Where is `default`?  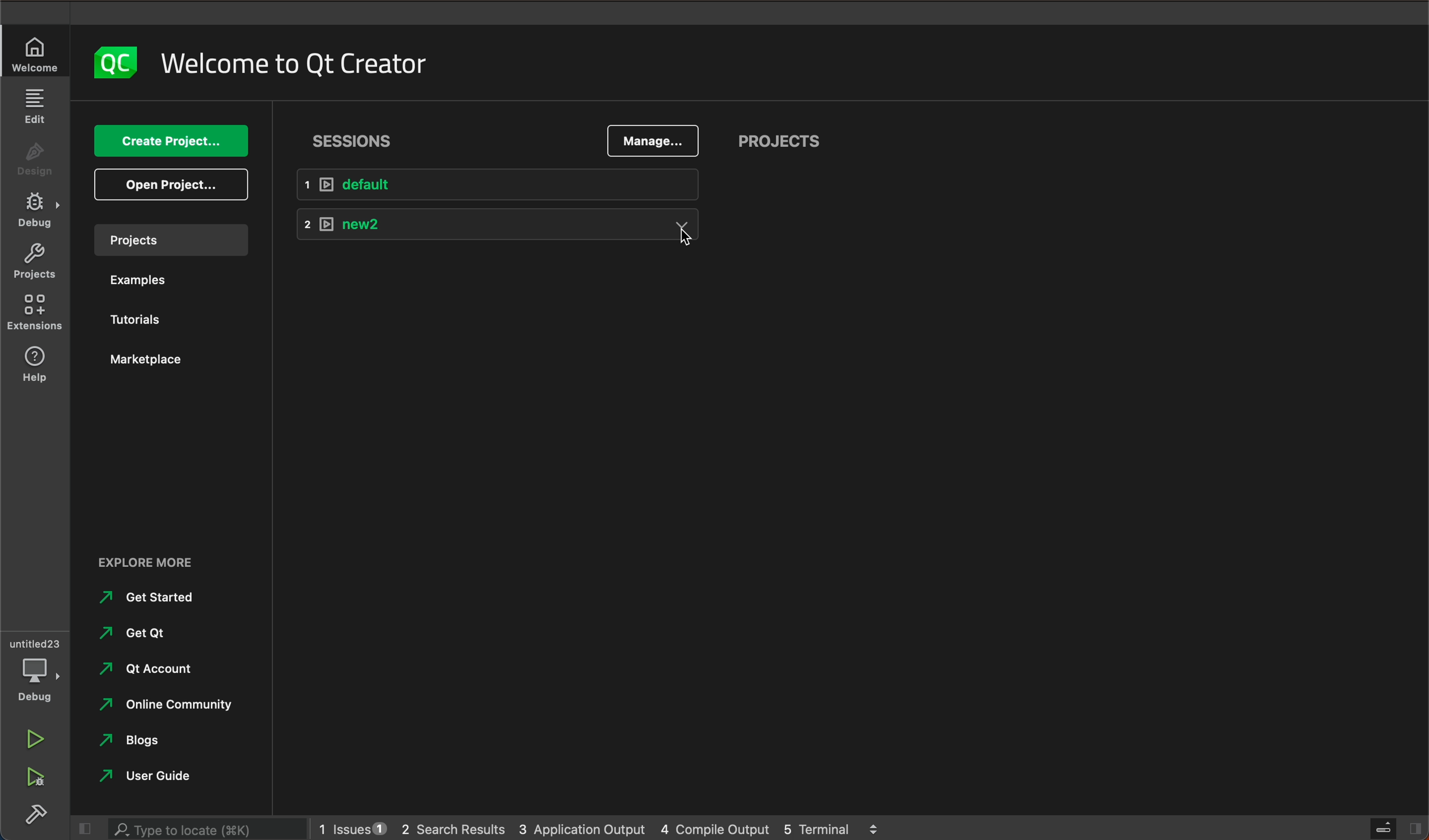
default is located at coordinates (496, 183).